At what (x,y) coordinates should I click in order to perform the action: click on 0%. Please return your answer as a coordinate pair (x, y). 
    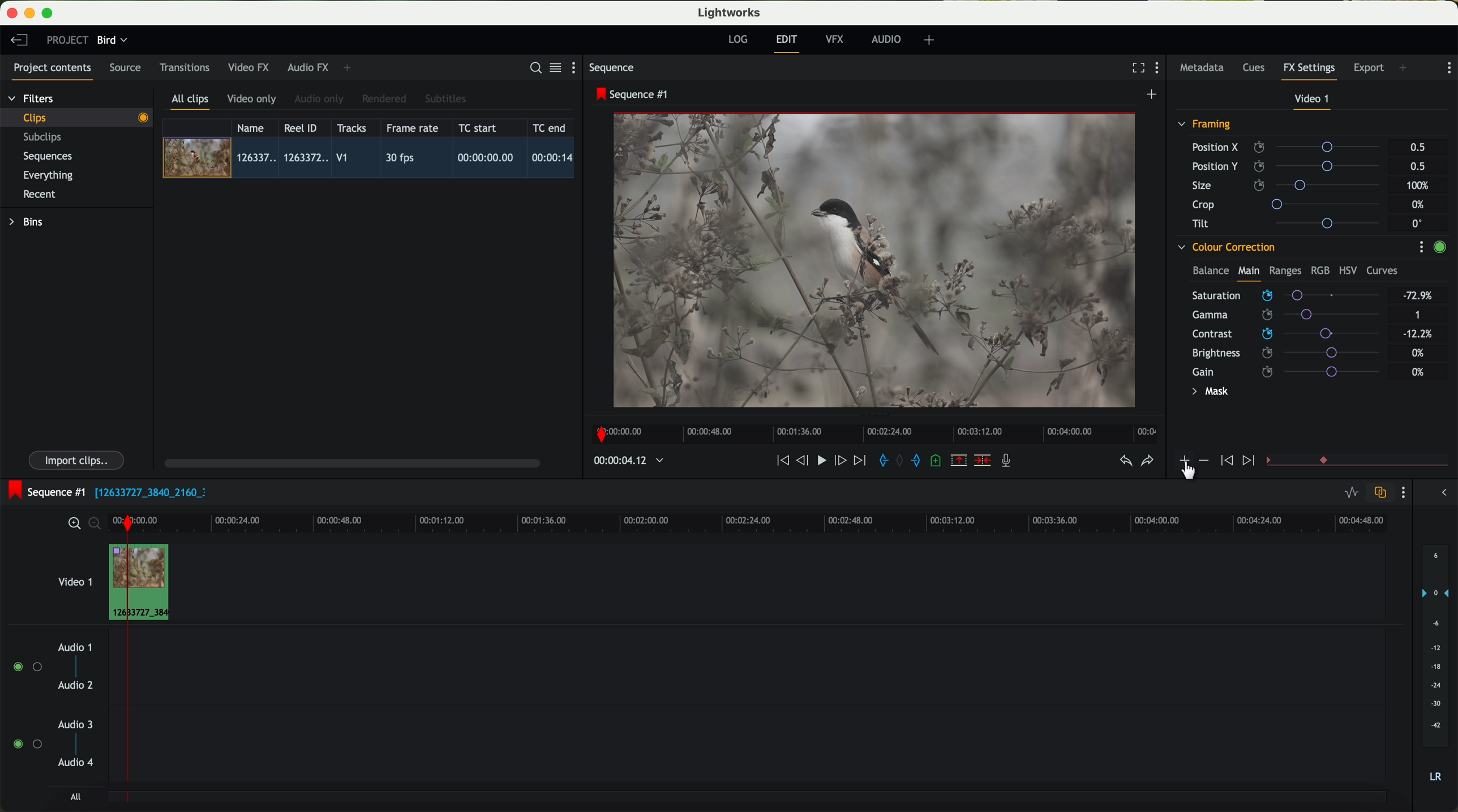
    Looking at the image, I should click on (1420, 205).